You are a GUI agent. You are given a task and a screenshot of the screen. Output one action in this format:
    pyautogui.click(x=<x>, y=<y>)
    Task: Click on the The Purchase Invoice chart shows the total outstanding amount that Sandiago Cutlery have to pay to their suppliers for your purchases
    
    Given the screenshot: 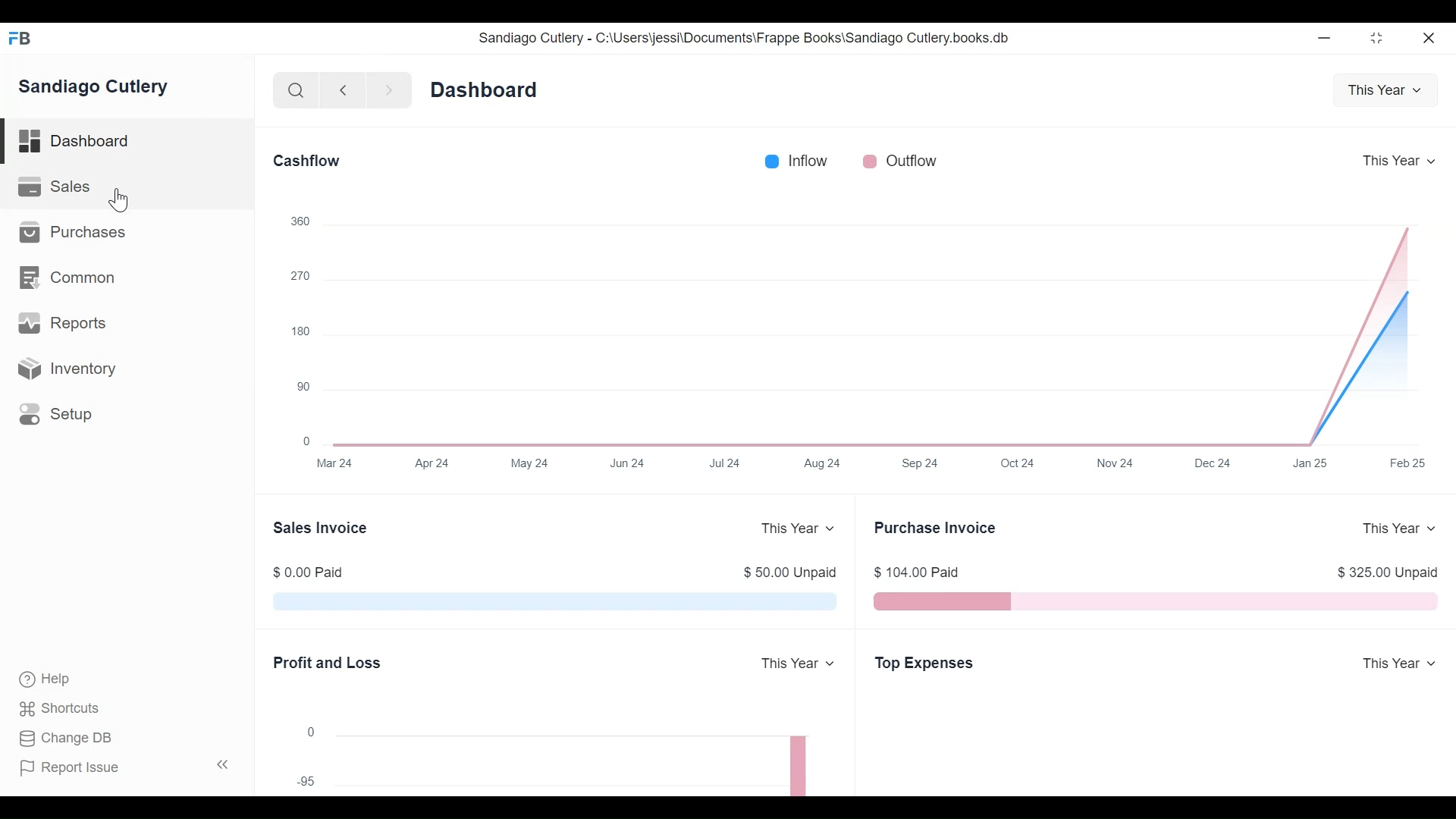 What is the action you would take?
    pyautogui.click(x=1156, y=601)
    